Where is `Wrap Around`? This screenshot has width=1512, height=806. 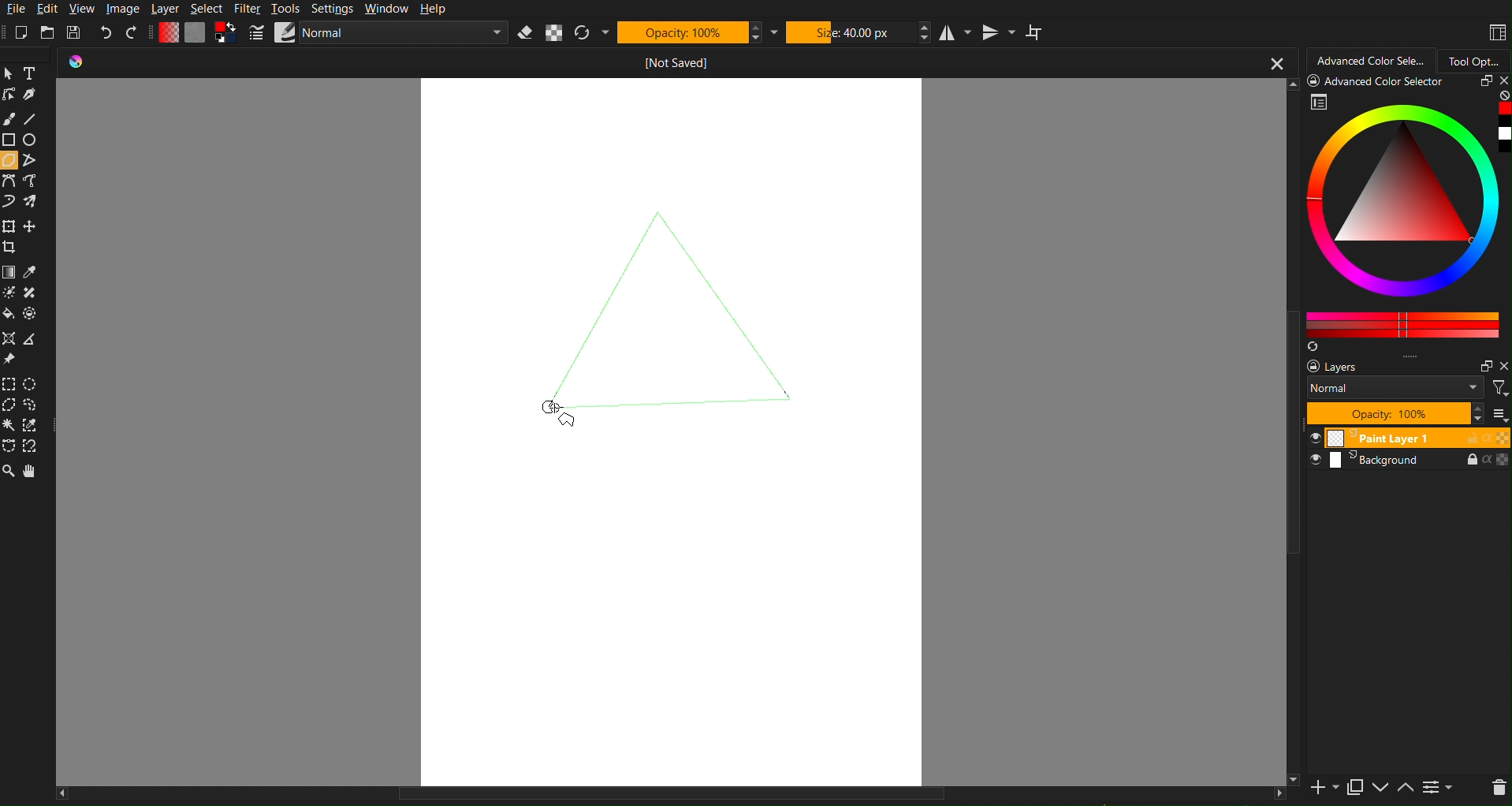
Wrap Around is located at coordinates (1040, 33).